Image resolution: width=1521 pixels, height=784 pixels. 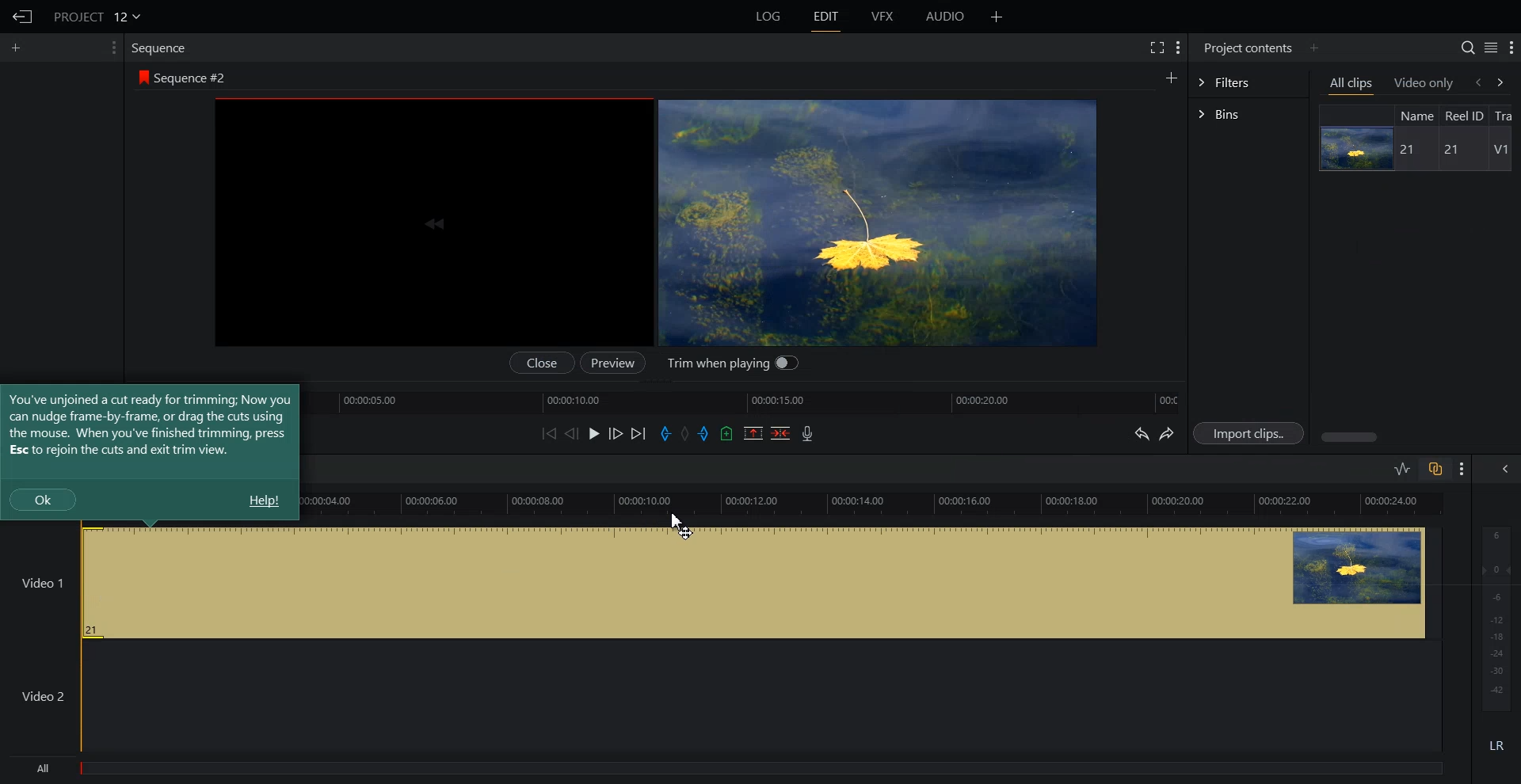 I want to click on logo, so click(x=141, y=76).